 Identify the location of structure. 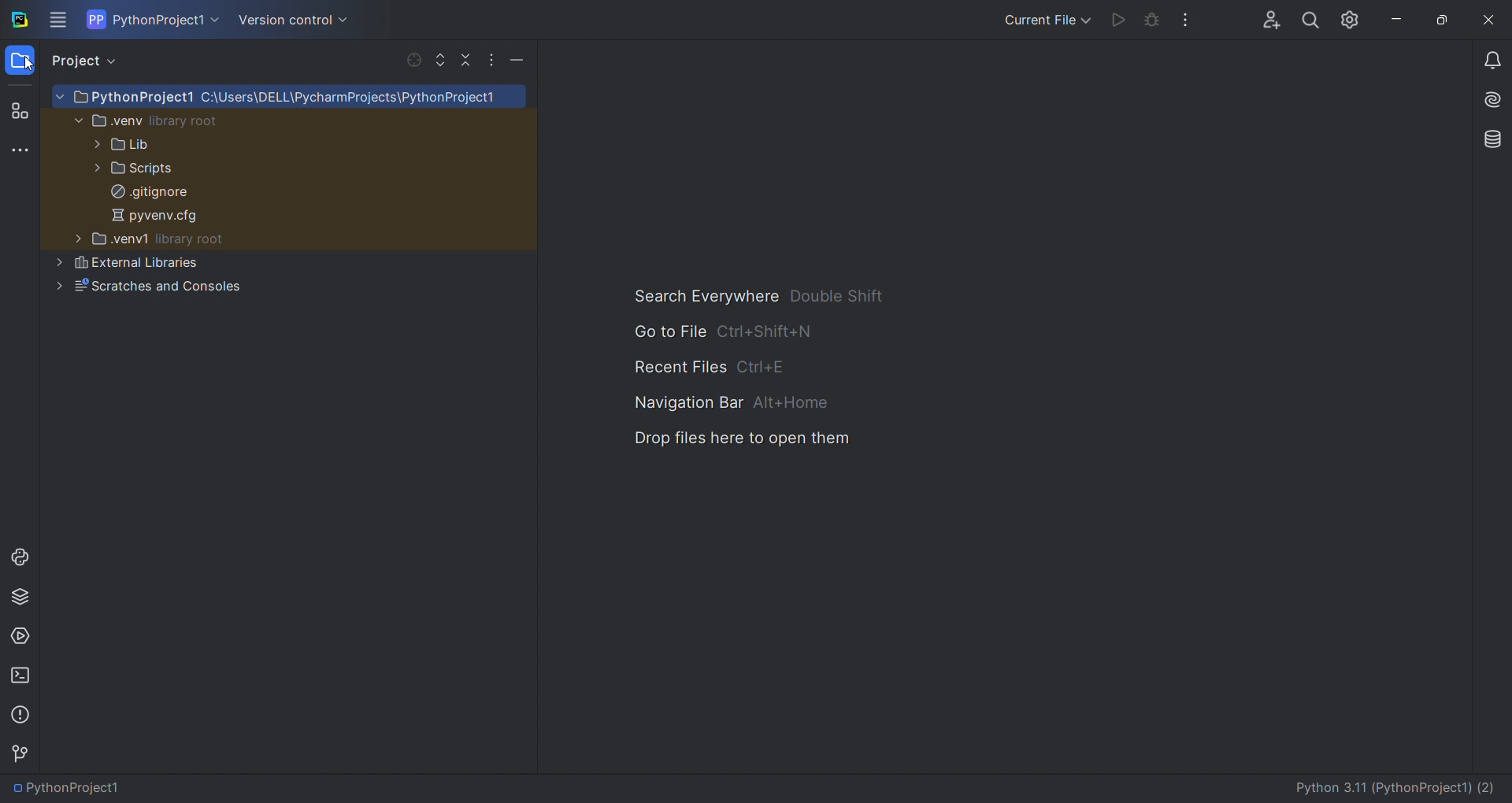
(20, 109).